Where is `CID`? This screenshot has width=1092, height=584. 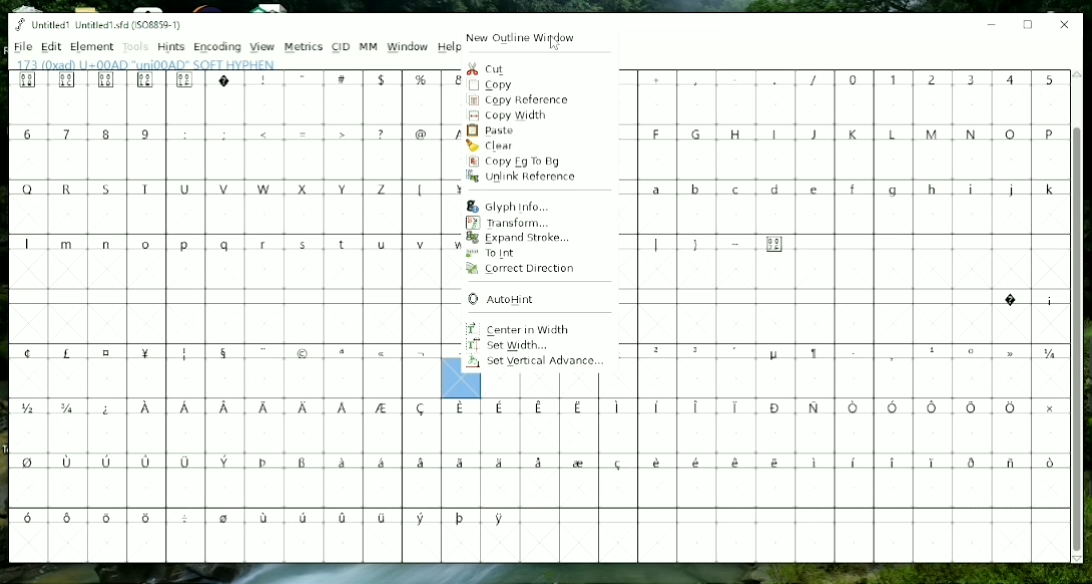
CID is located at coordinates (341, 47).